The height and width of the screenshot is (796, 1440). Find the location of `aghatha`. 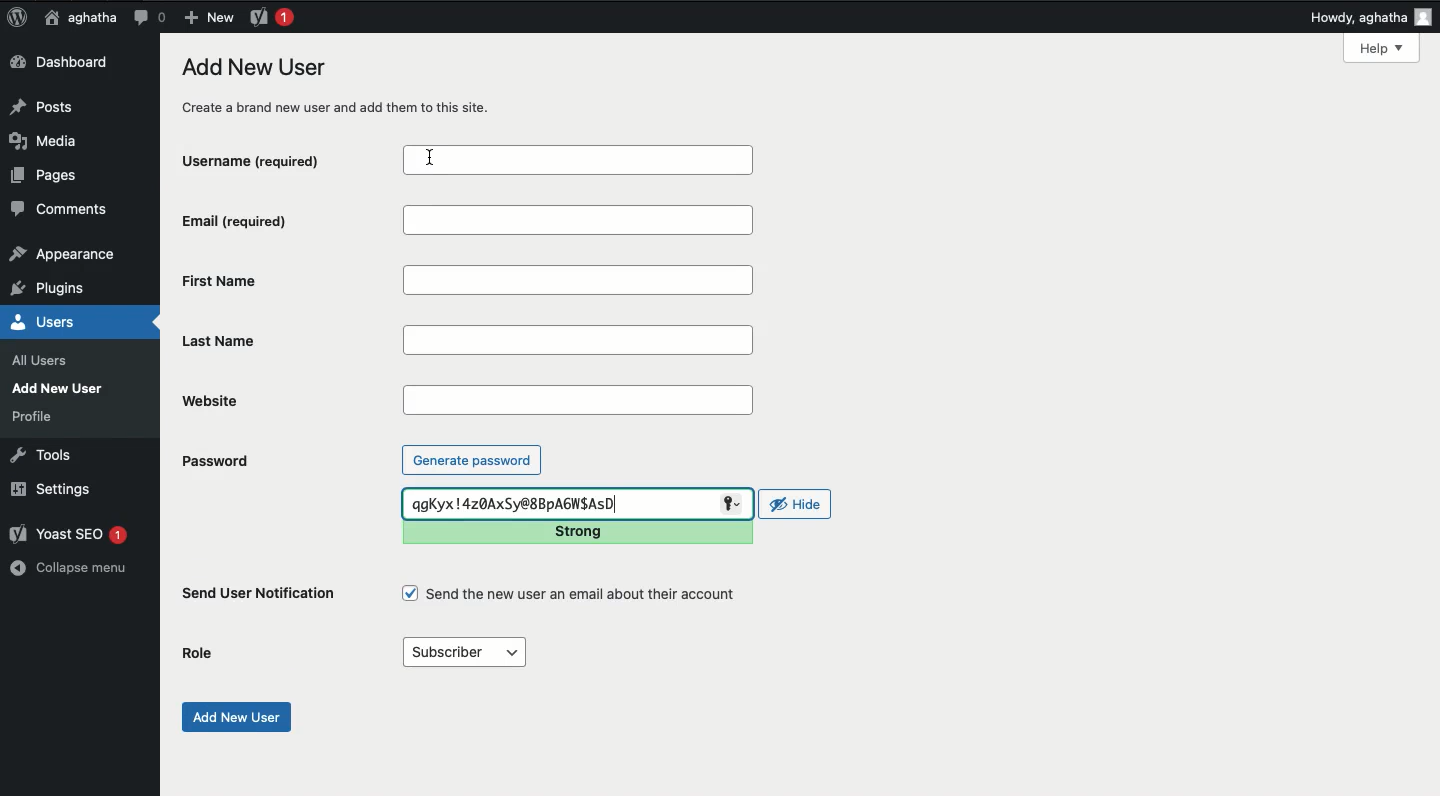

aghatha is located at coordinates (77, 17).